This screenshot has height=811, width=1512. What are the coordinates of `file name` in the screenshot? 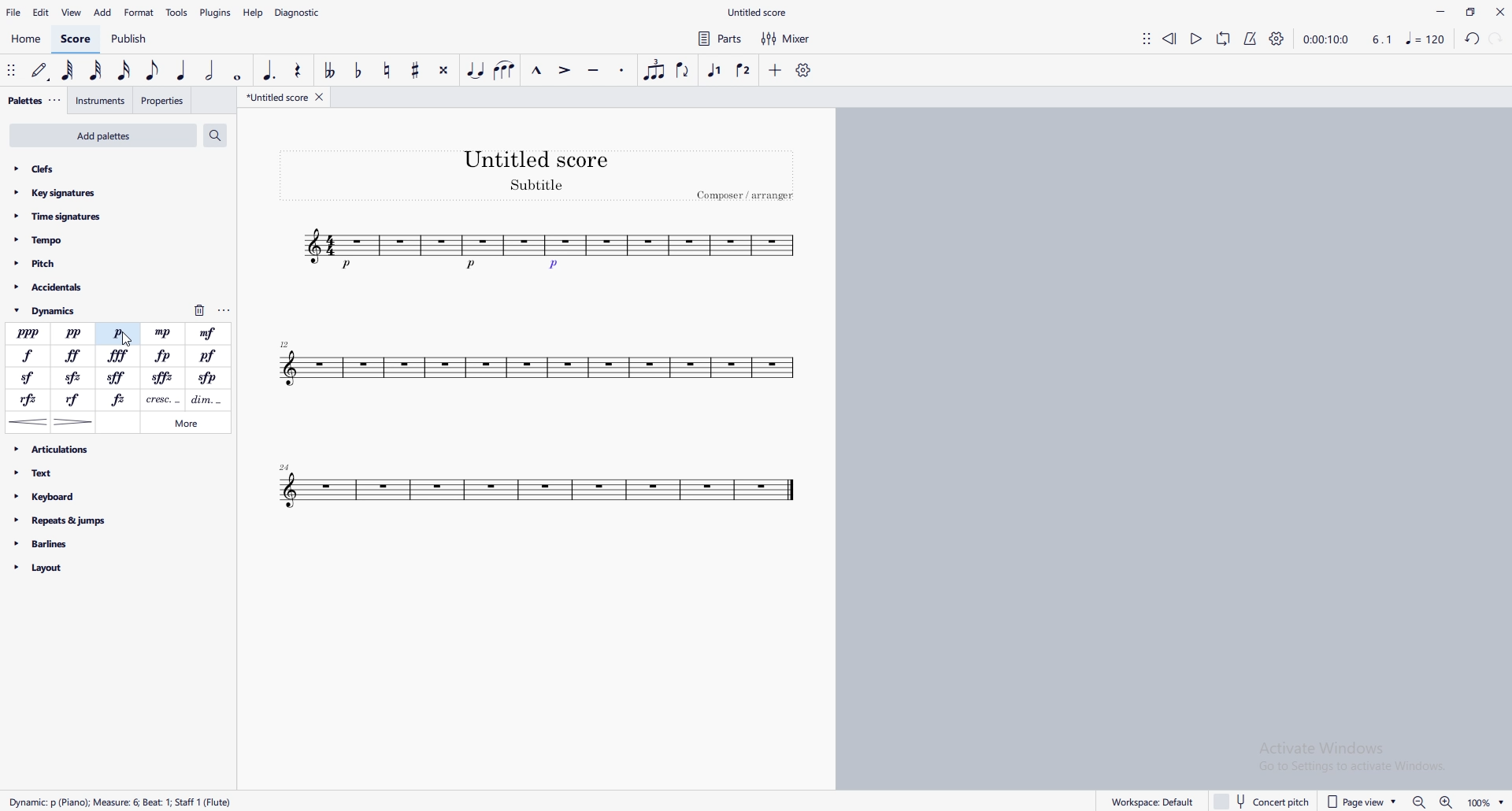 It's located at (758, 12).